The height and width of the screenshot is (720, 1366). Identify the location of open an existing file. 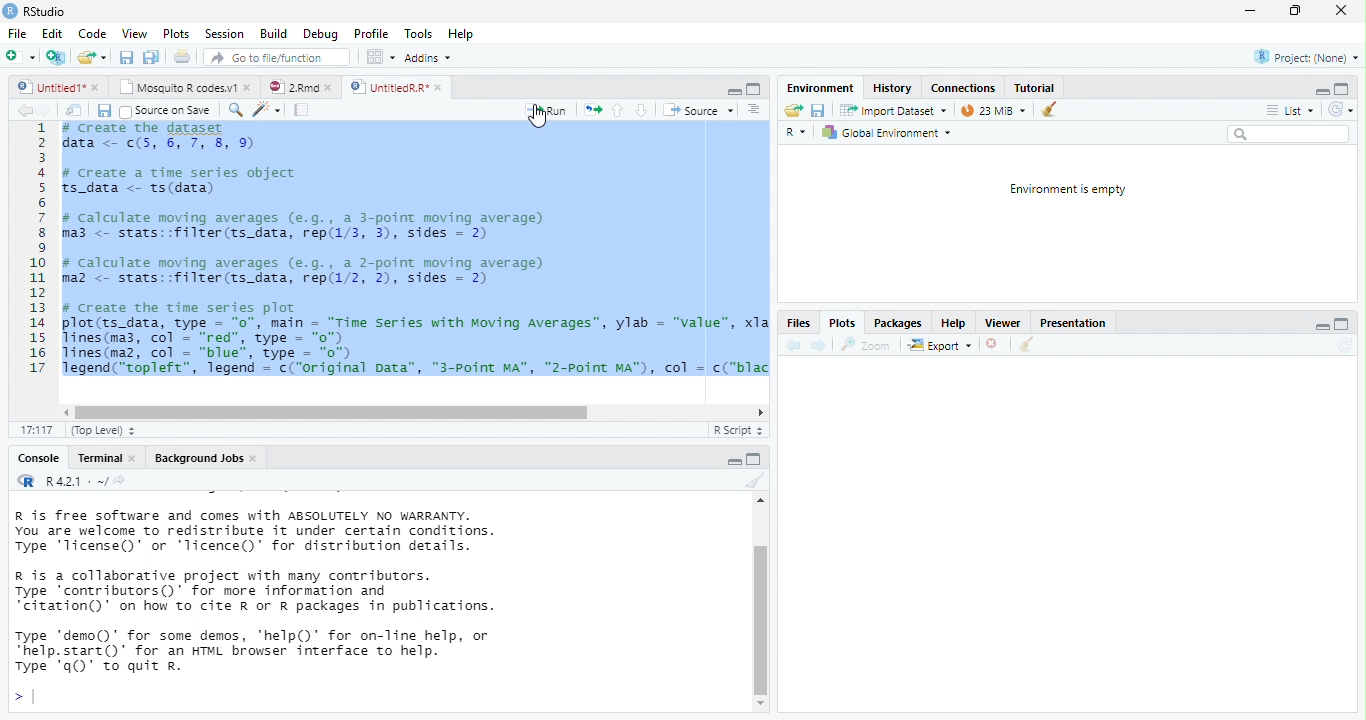
(92, 58).